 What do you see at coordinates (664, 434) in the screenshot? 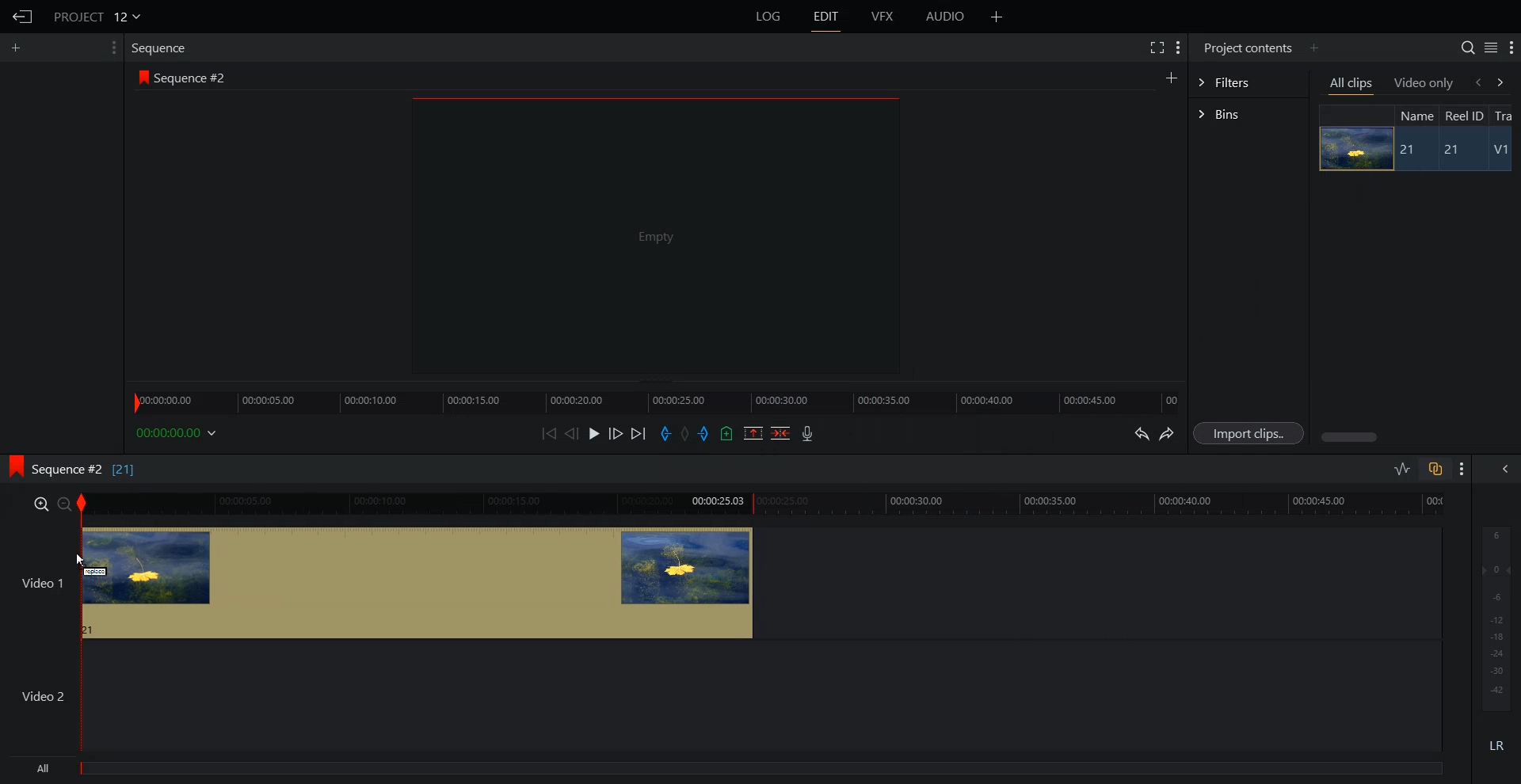
I see `Add an in Mark in current position` at bounding box center [664, 434].